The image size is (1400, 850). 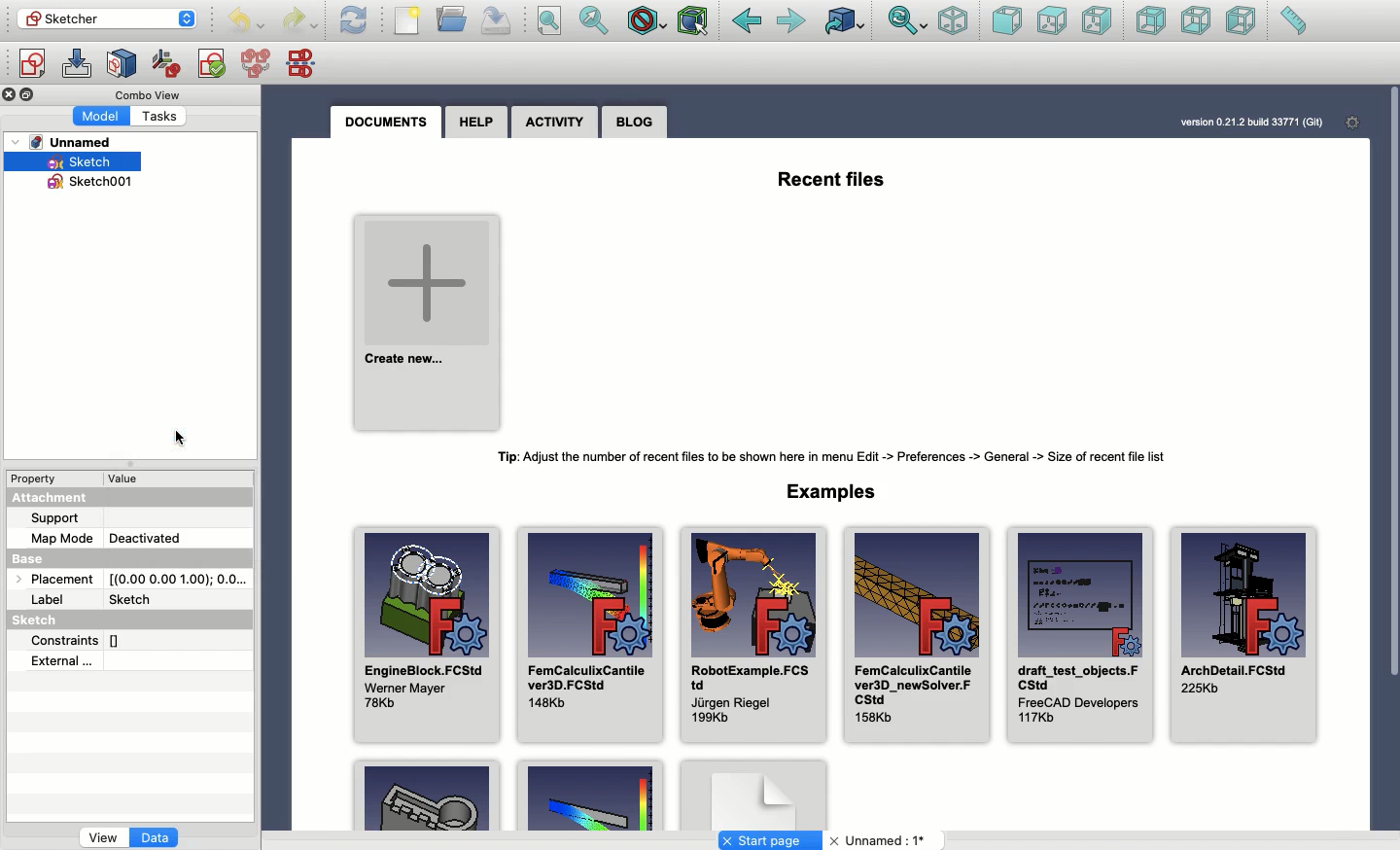 What do you see at coordinates (191, 26) in the screenshot?
I see `Down arrow` at bounding box center [191, 26].